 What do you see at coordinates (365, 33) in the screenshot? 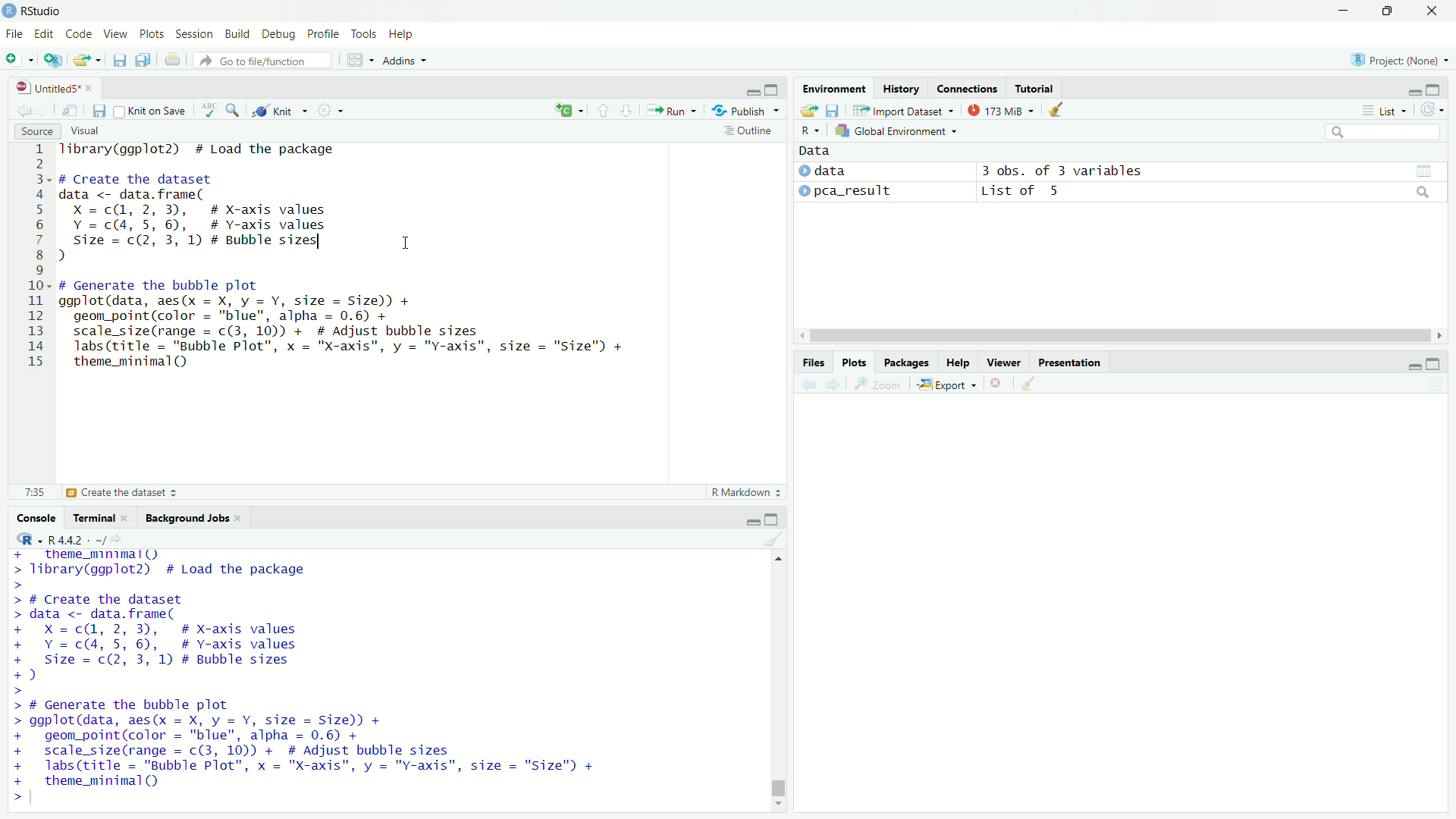
I see `tools` at bounding box center [365, 33].